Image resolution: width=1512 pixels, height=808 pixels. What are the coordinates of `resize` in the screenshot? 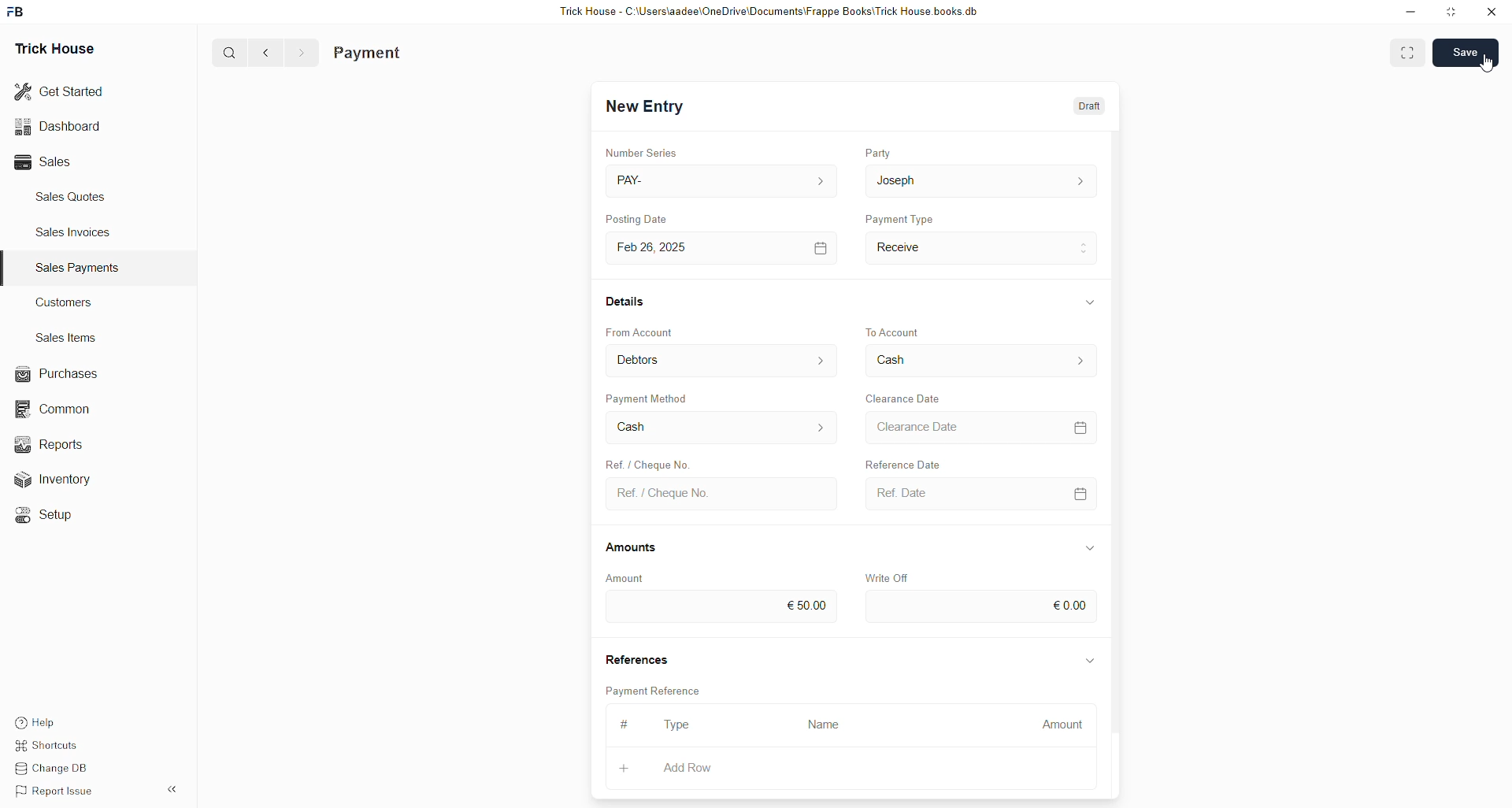 It's located at (1452, 12).